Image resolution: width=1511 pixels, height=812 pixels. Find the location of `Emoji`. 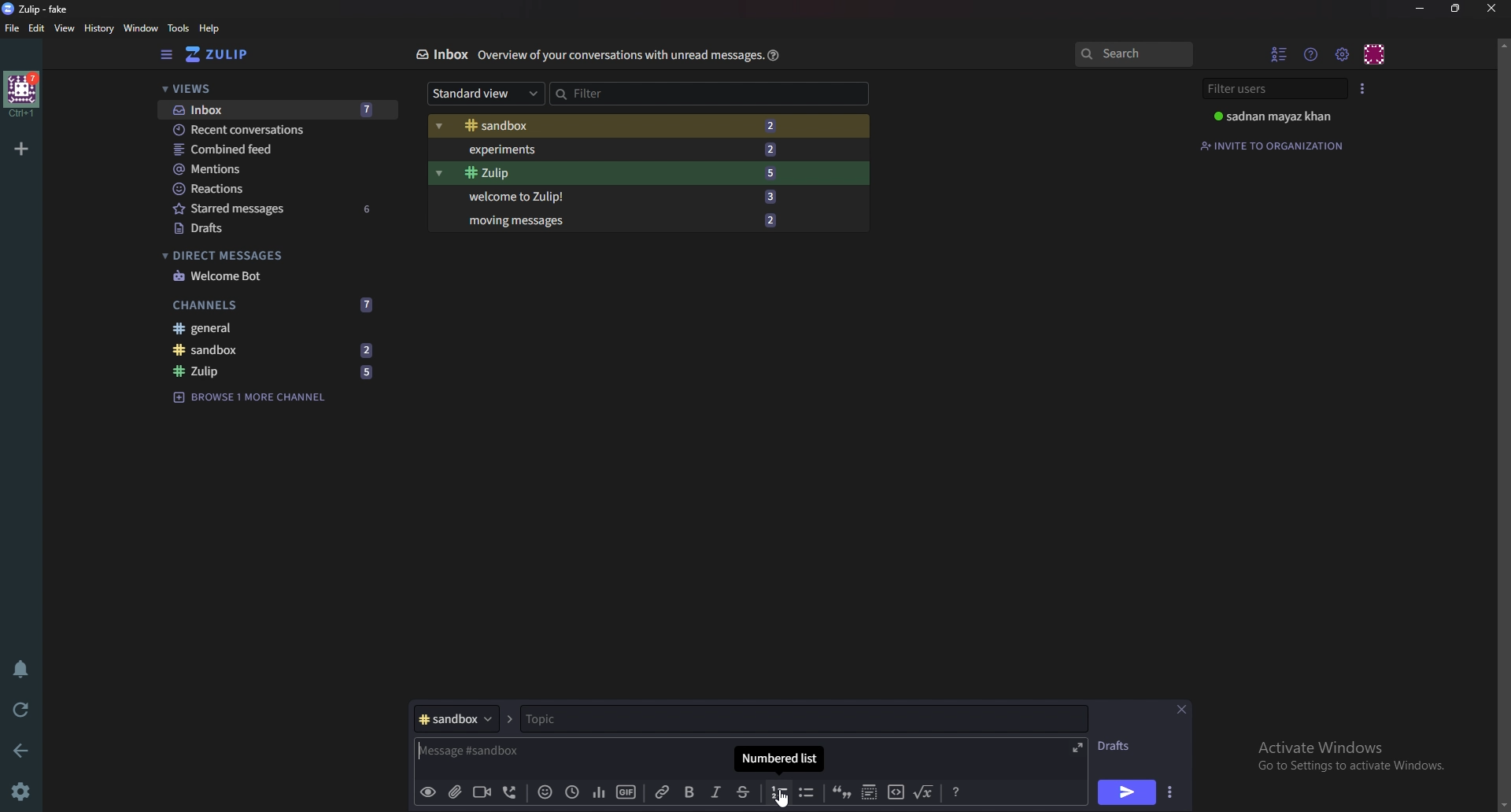

Emoji is located at coordinates (542, 793).